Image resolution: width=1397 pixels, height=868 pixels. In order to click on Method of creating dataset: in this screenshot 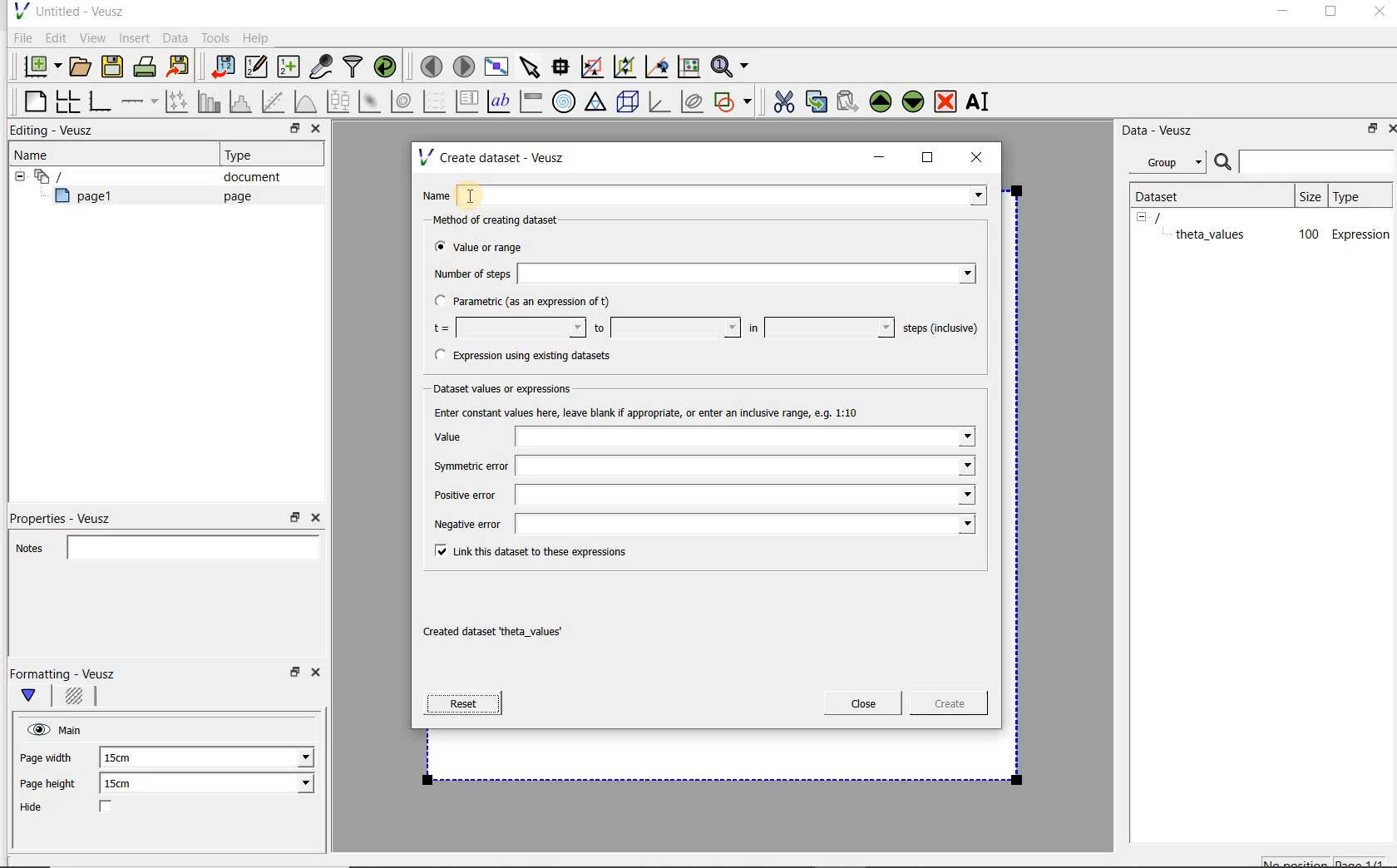, I will do `click(508, 220)`.